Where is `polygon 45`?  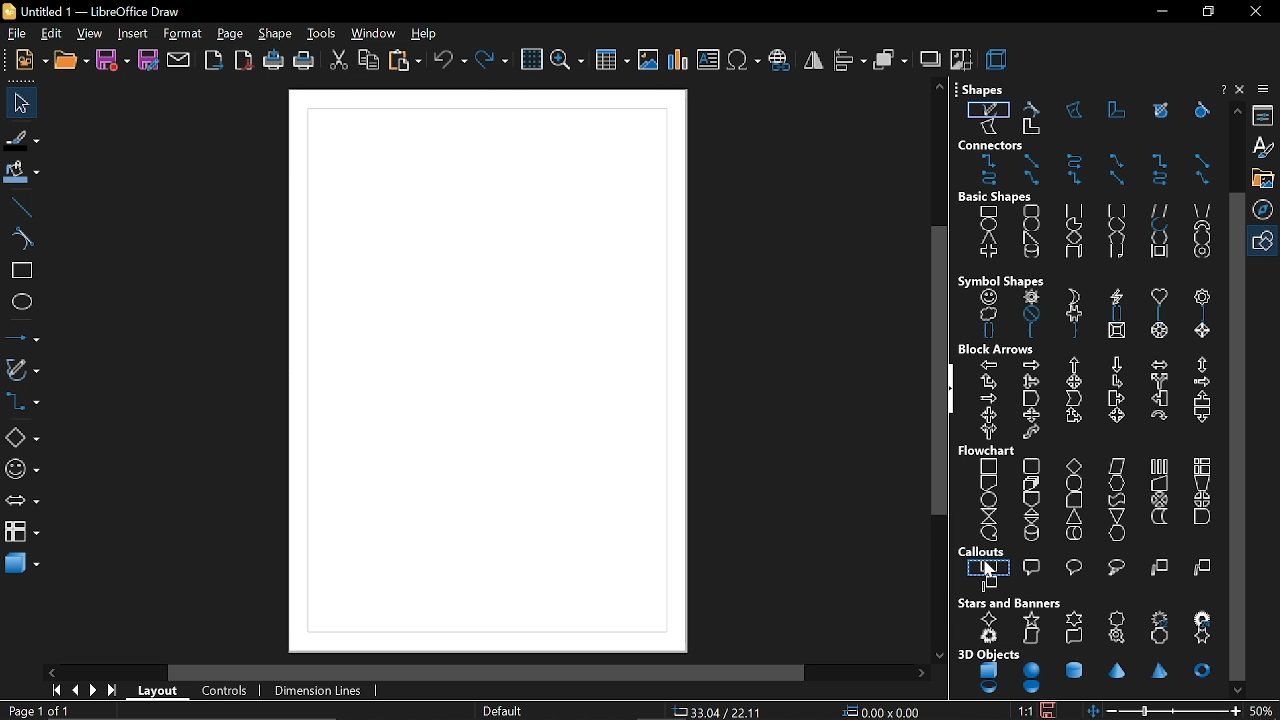 polygon 45 is located at coordinates (1118, 110).